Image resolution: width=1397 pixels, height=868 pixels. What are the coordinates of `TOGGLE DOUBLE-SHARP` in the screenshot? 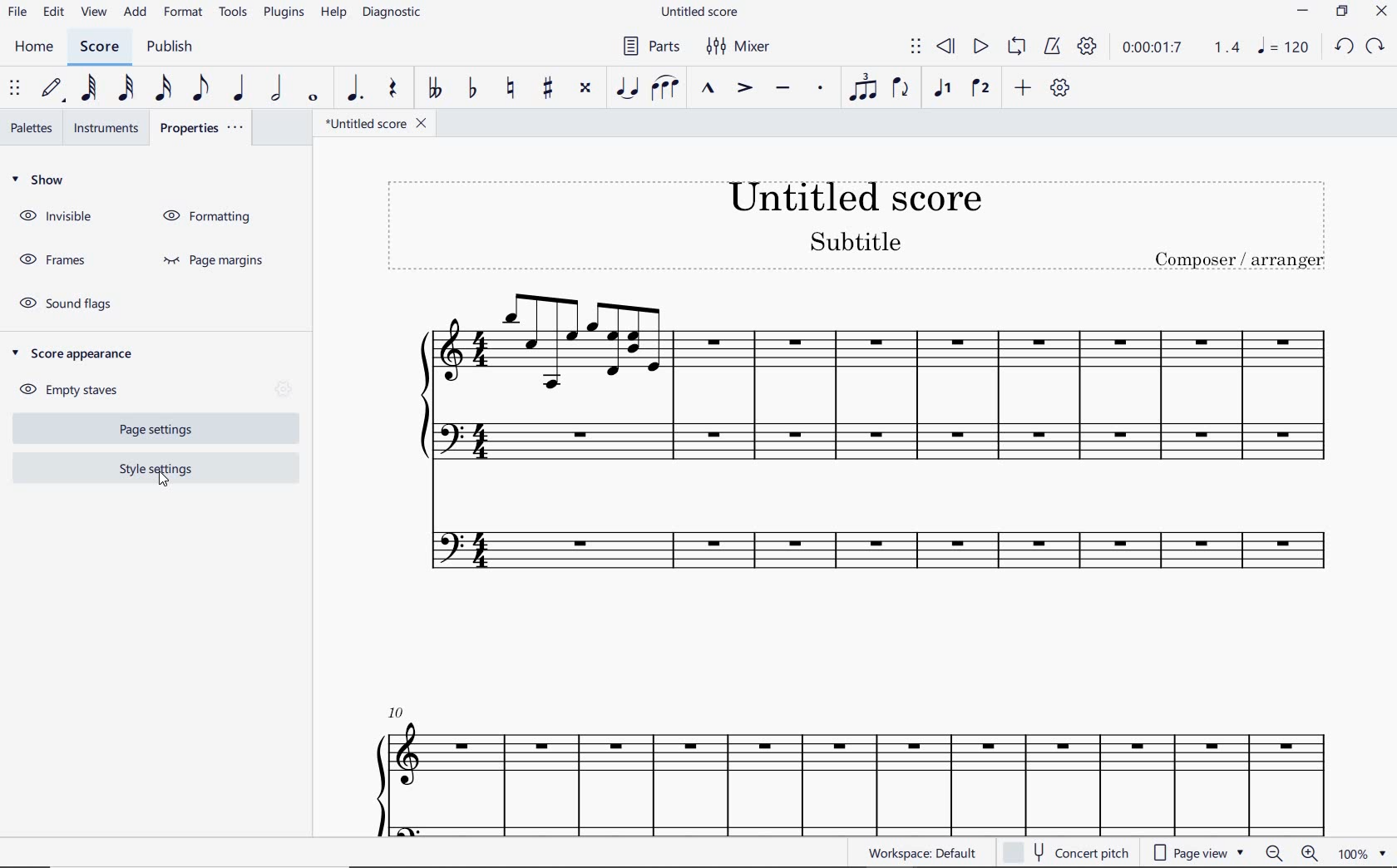 It's located at (585, 88).